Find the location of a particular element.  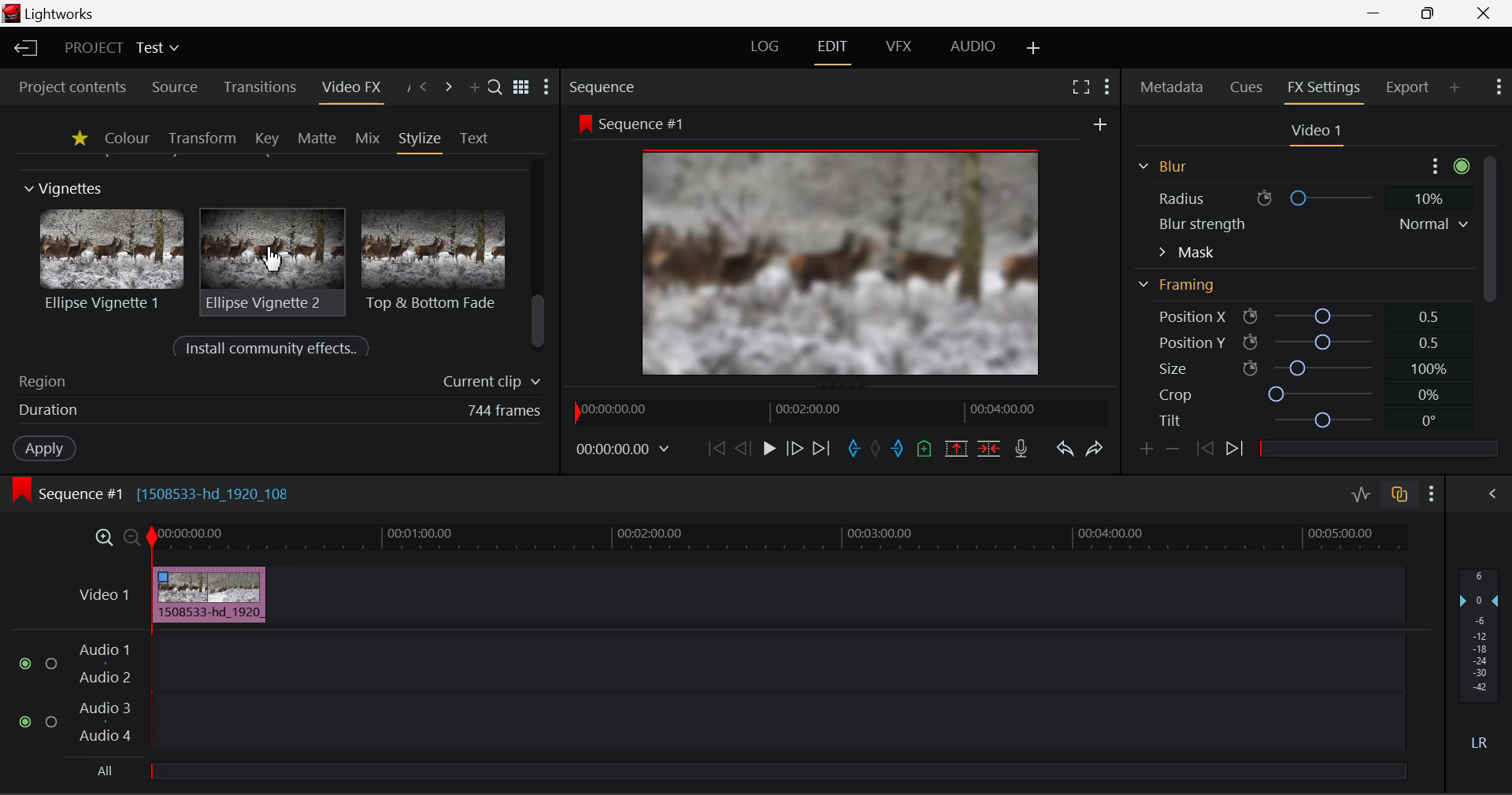

Toggle auto track sync is located at coordinates (1398, 492).